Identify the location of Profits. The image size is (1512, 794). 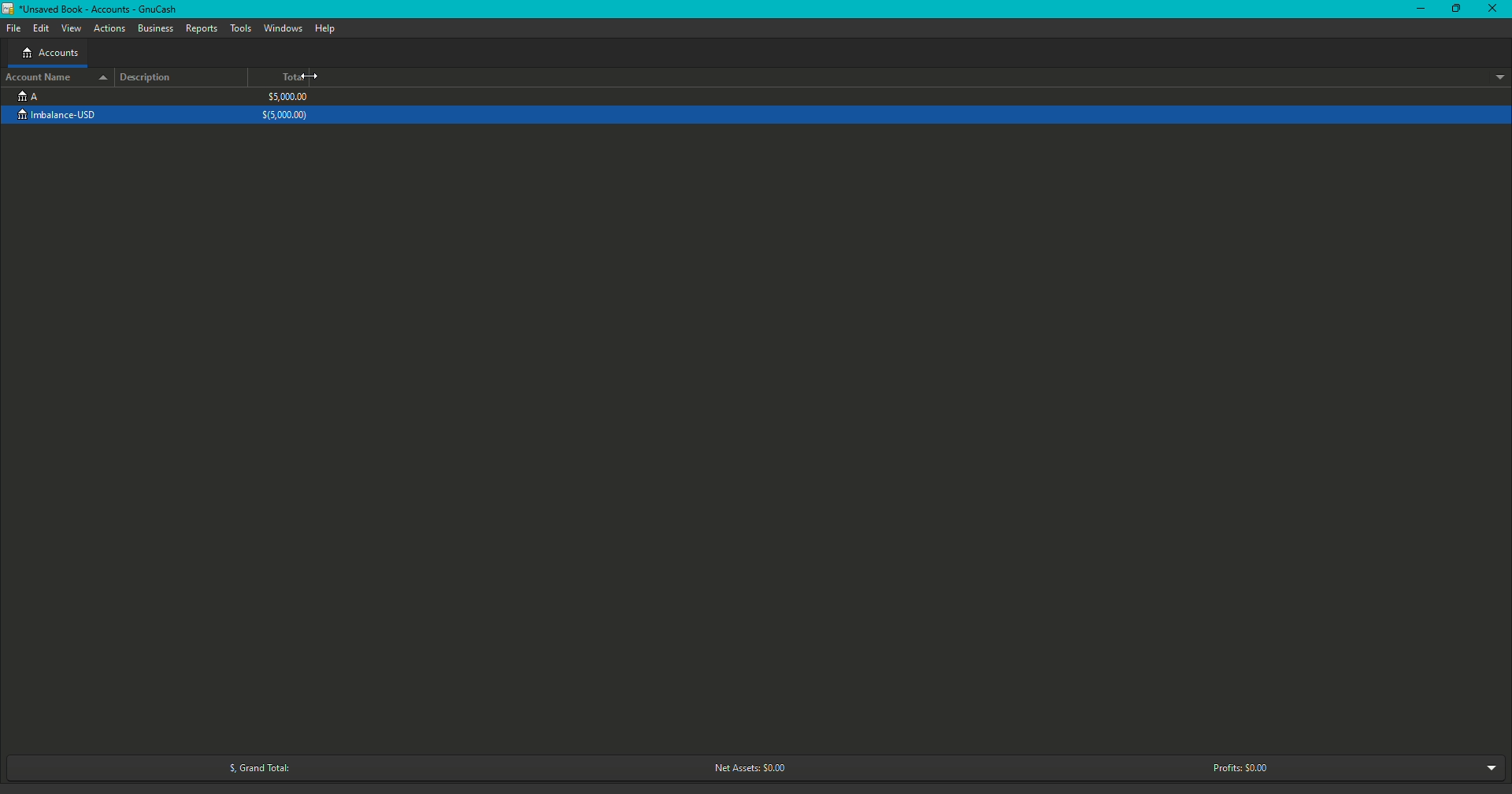
(1240, 767).